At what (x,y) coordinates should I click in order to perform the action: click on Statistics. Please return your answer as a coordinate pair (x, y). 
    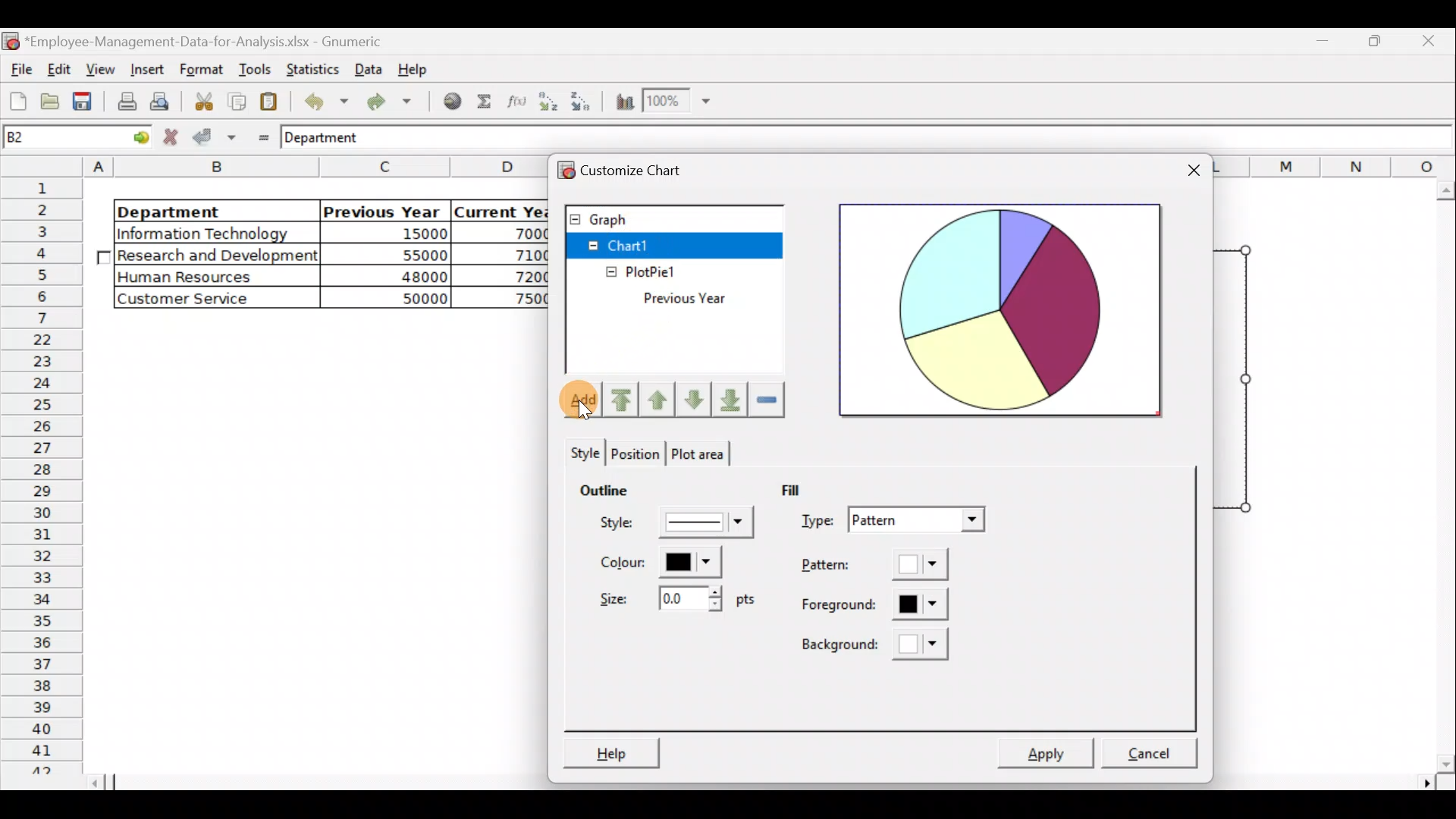
    Looking at the image, I should click on (313, 68).